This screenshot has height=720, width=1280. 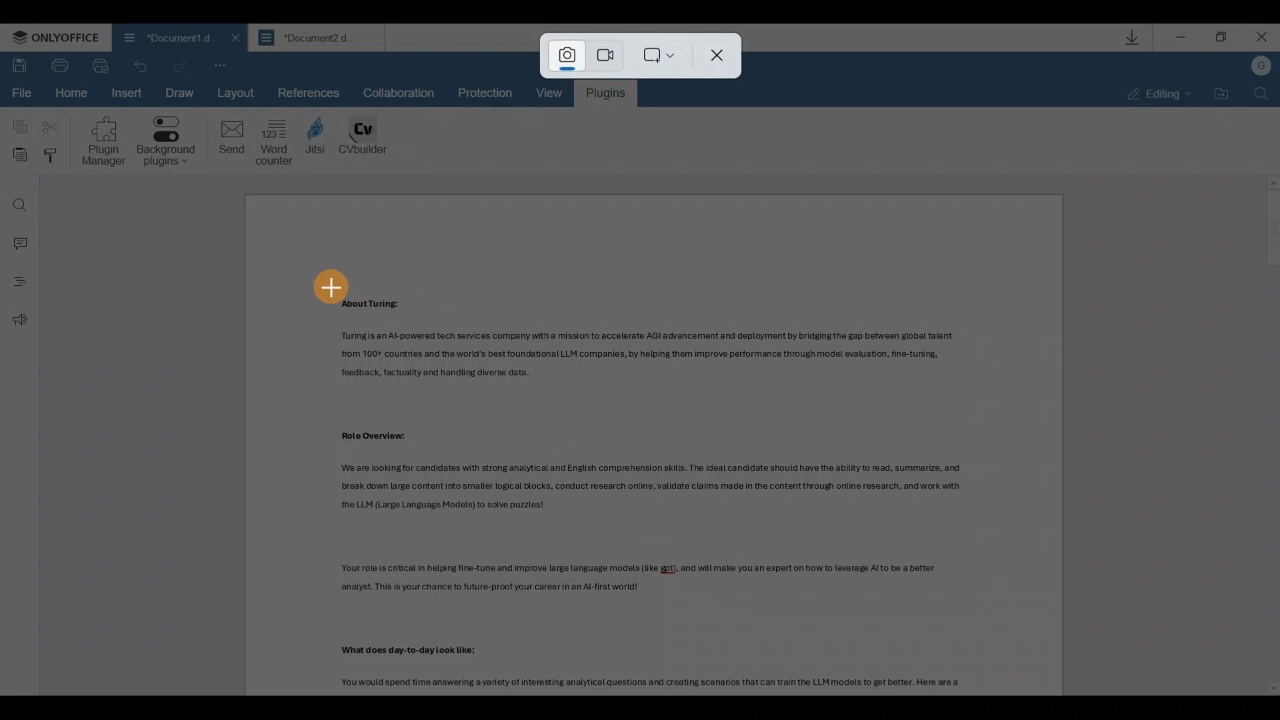 I want to click on Find, so click(x=1262, y=98).